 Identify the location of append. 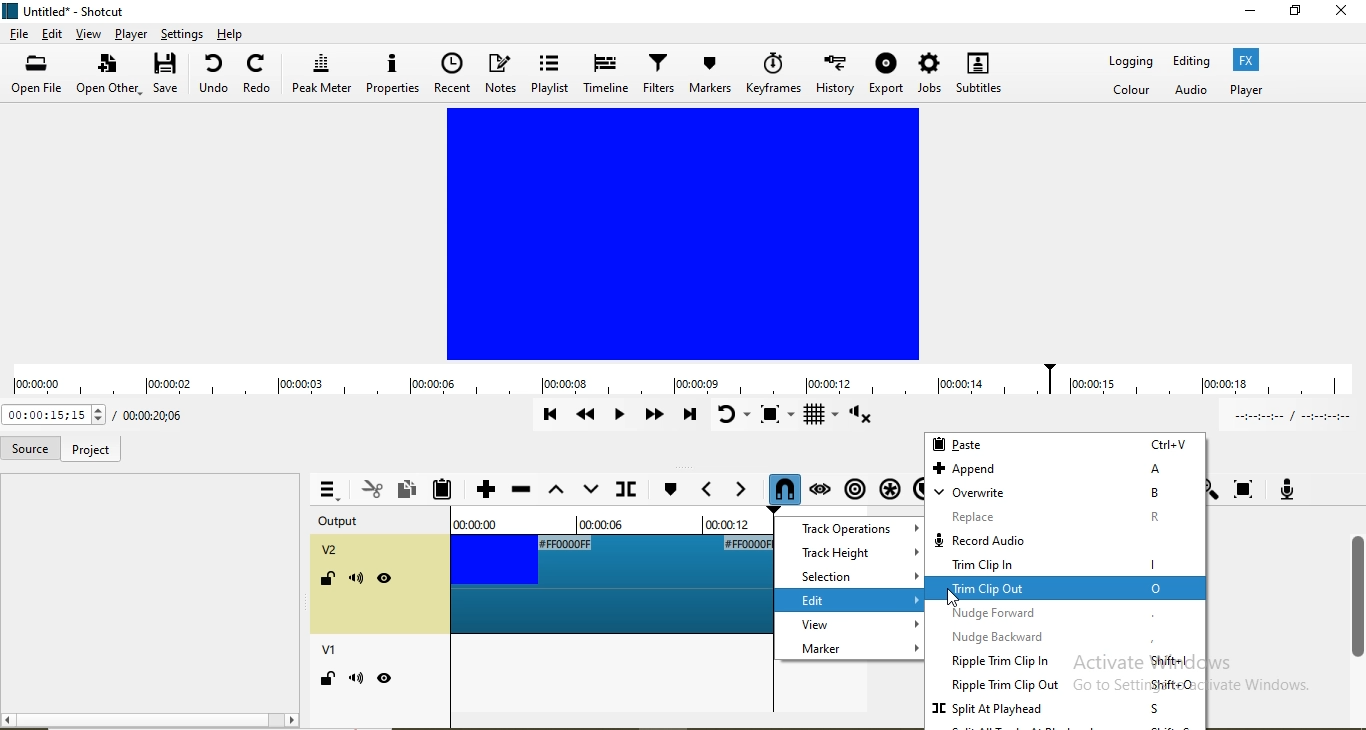
(1061, 470).